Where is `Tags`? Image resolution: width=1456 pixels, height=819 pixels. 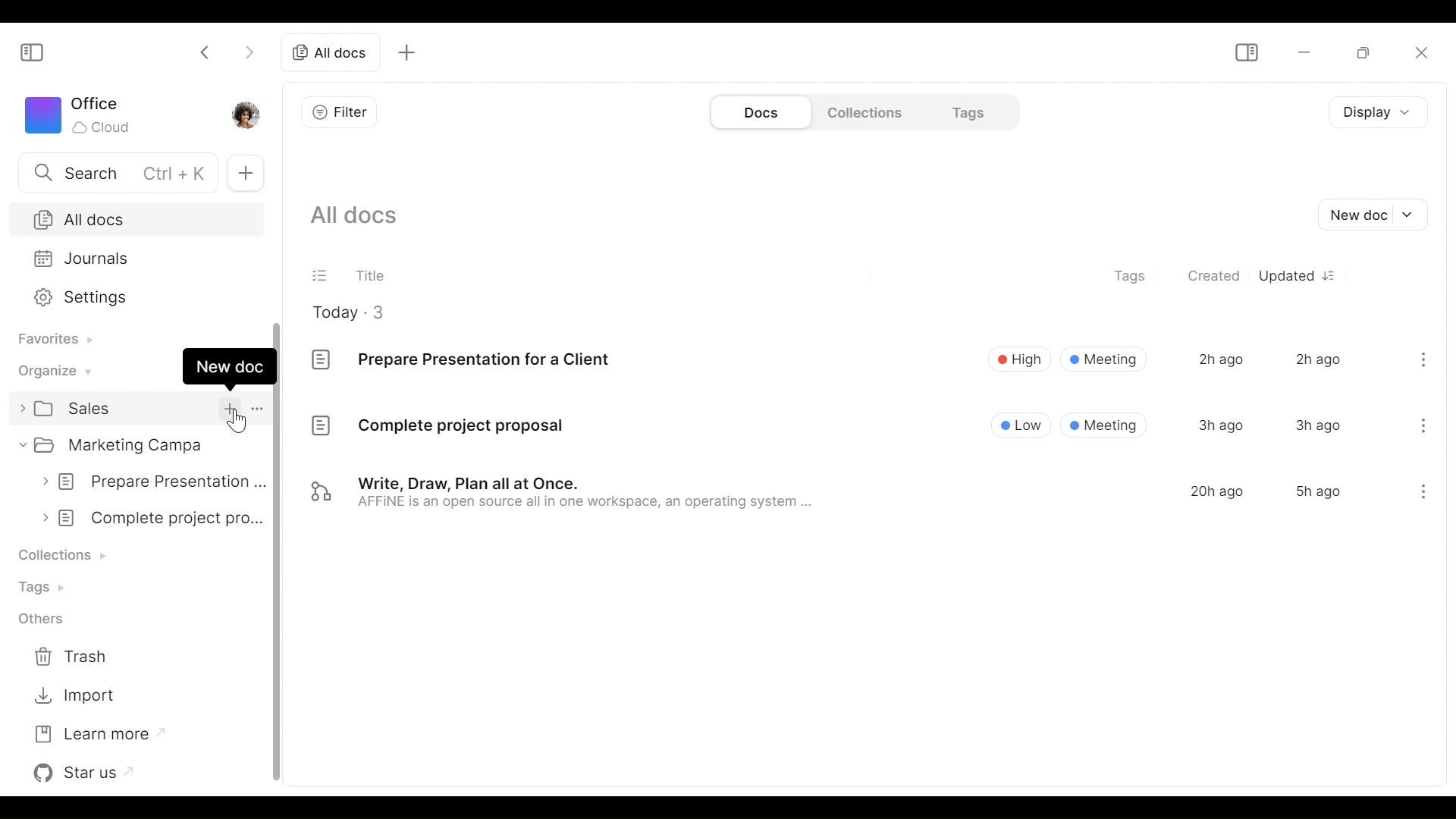 Tags is located at coordinates (48, 587).